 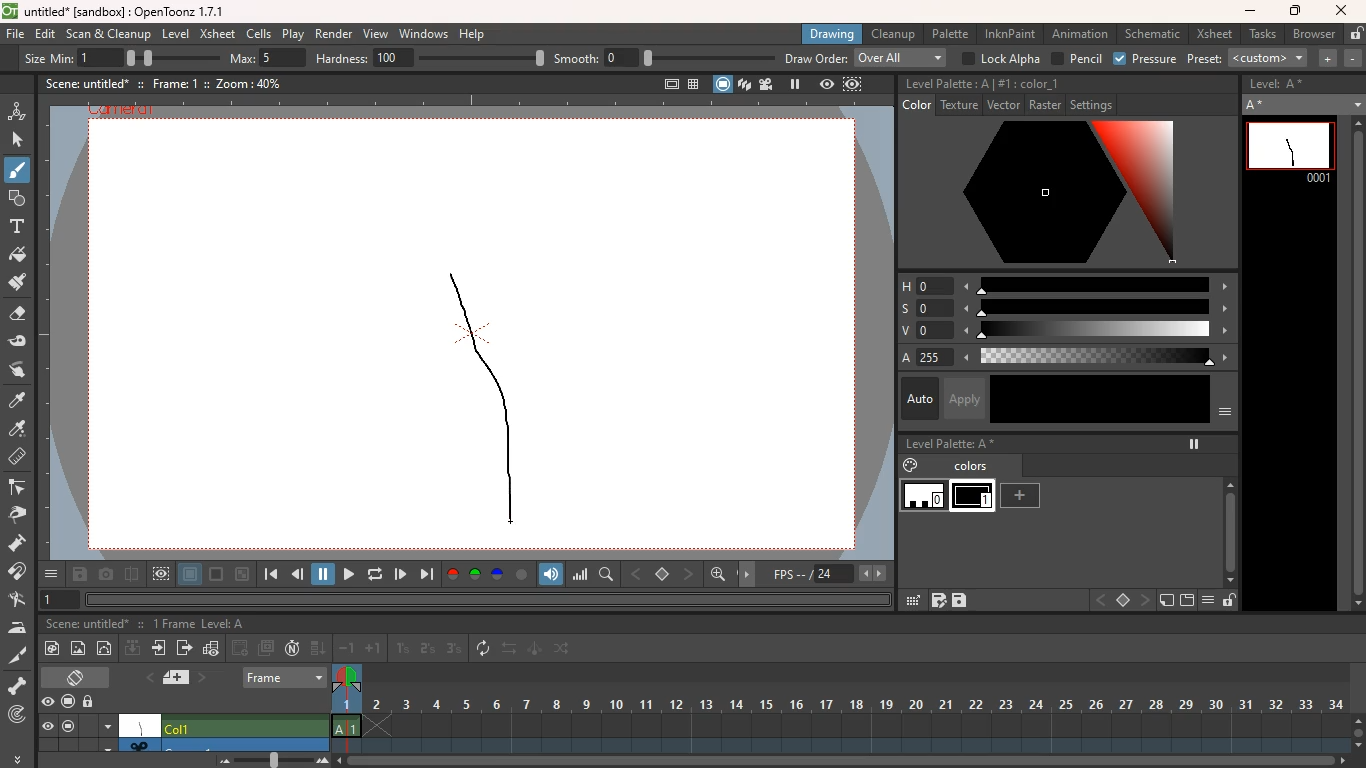 What do you see at coordinates (608, 575) in the screenshot?
I see `find` at bounding box center [608, 575].